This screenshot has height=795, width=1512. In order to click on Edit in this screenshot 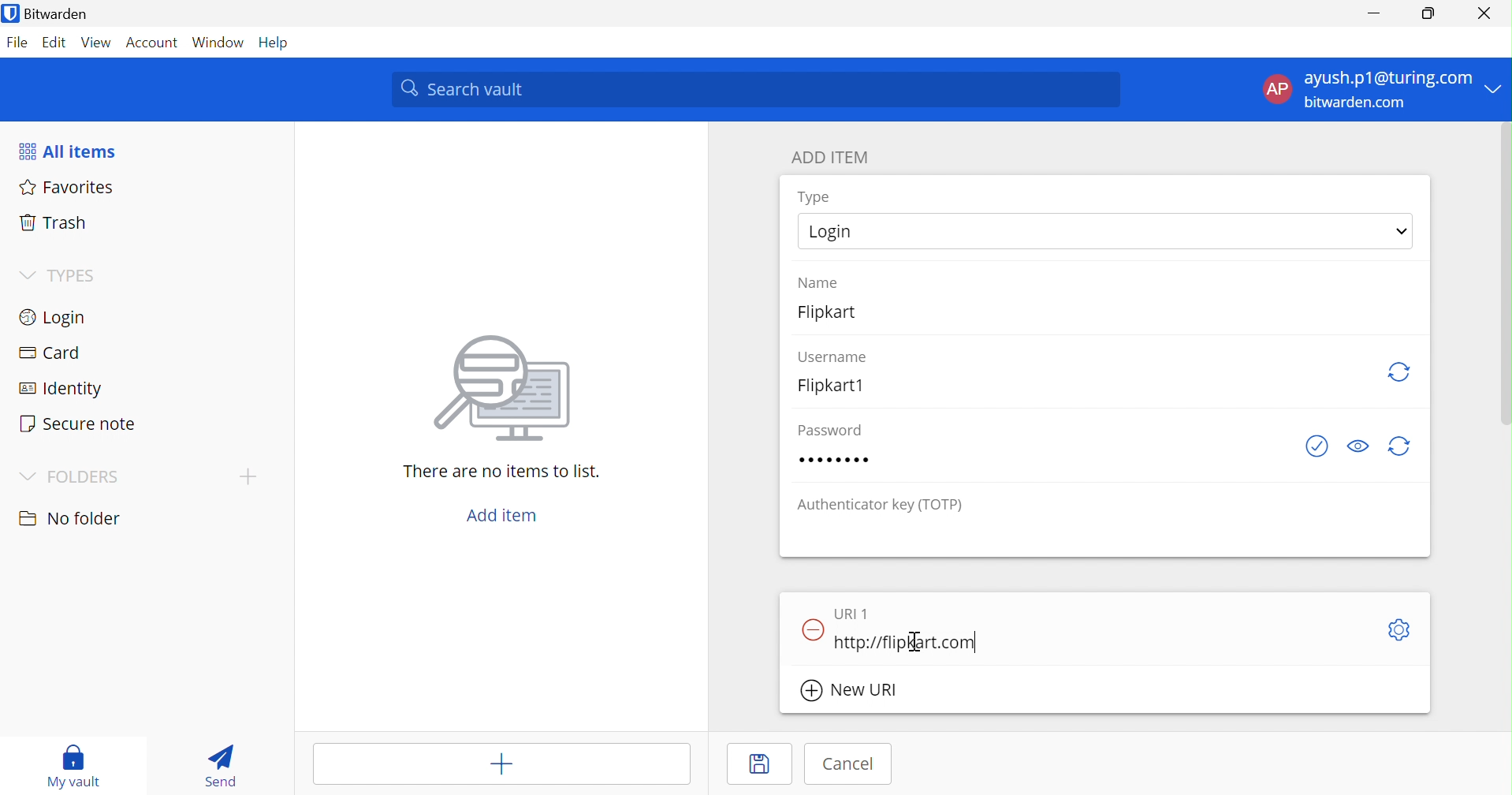, I will do `click(51, 42)`.